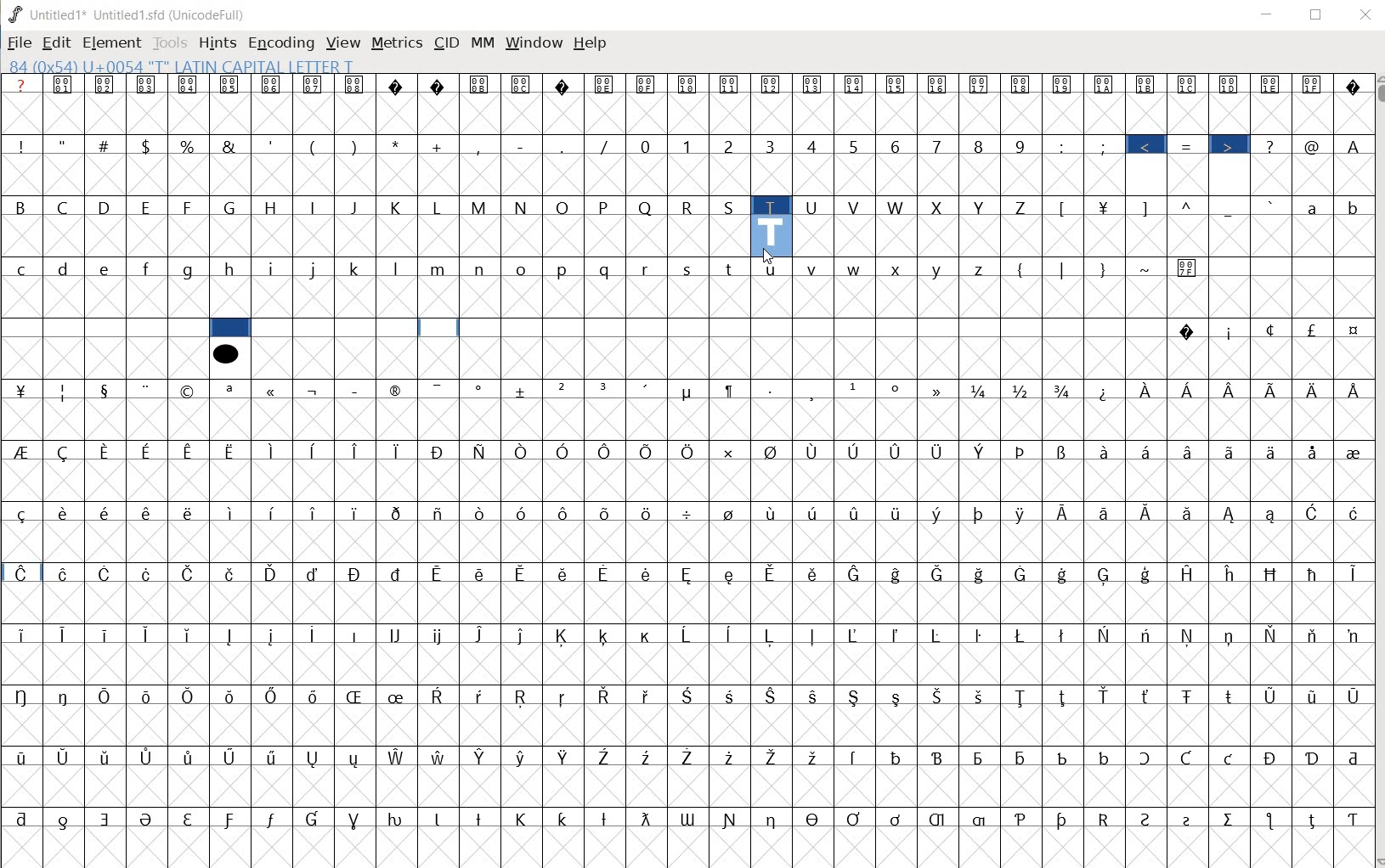 This screenshot has height=868, width=1385. What do you see at coordinates (233, 270) in the screenshot?
I see `h` at bounding box center [233, 270].